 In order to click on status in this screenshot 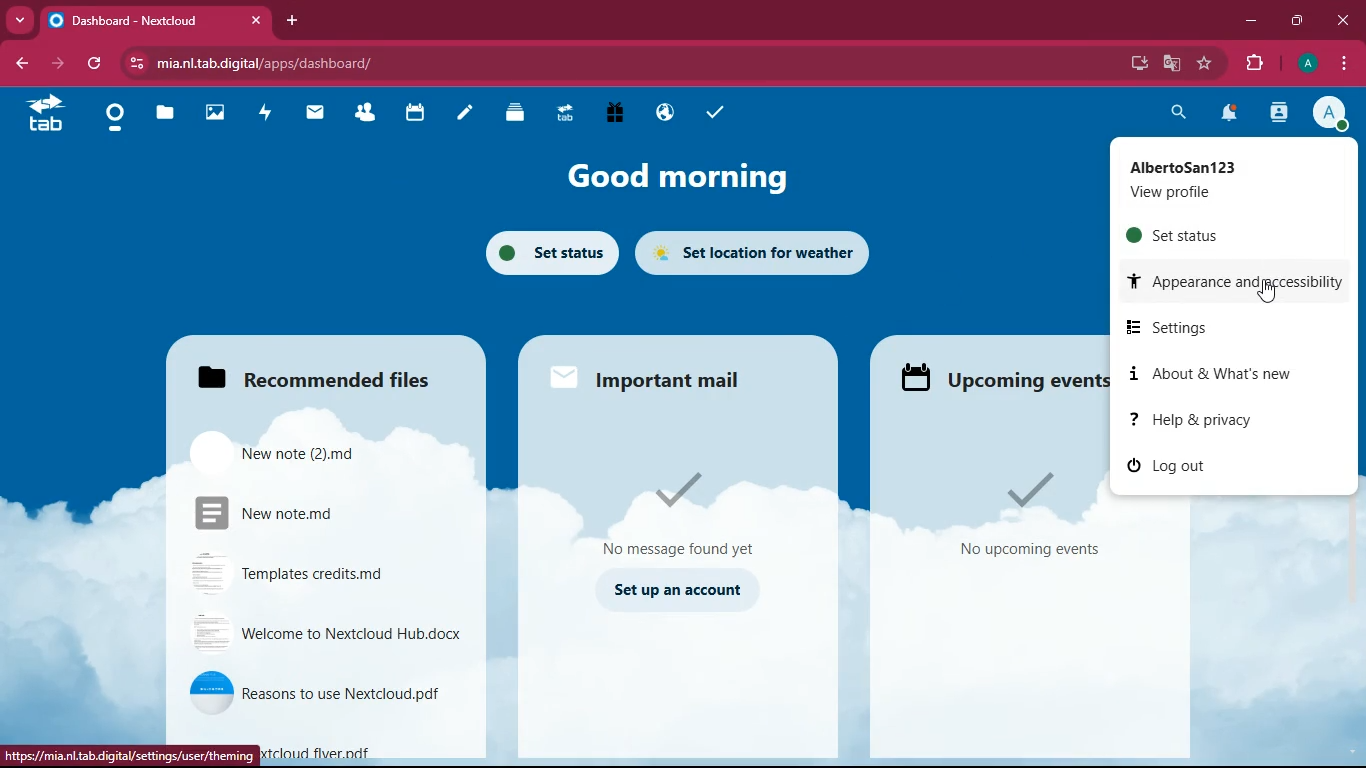, I will do `click(1224, 234)`.